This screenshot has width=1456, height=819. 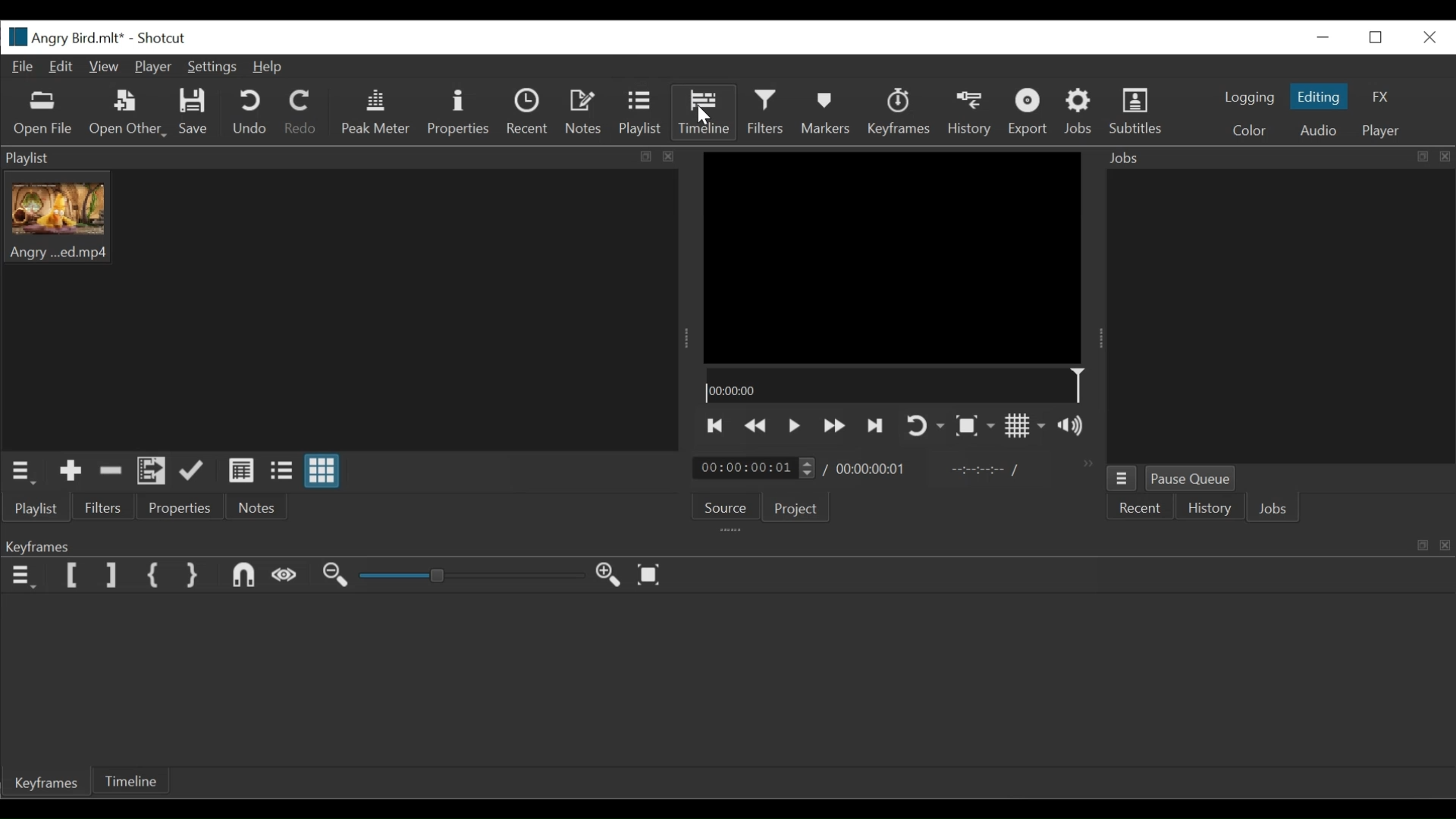 What do you see at coordinates (767, 112) in the screenshot?
I see `Filters` at bounding box center [767, 112].